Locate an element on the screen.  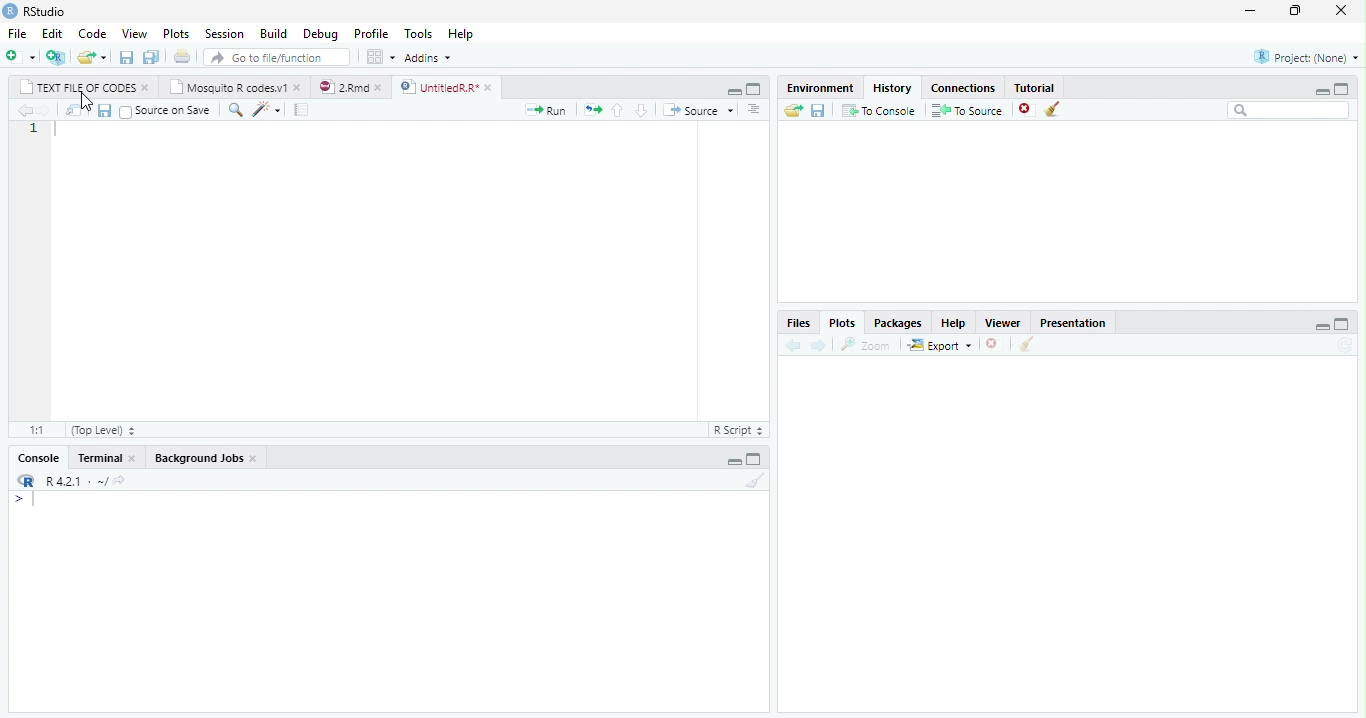
open an existing file is located at coordinates (91, 56).